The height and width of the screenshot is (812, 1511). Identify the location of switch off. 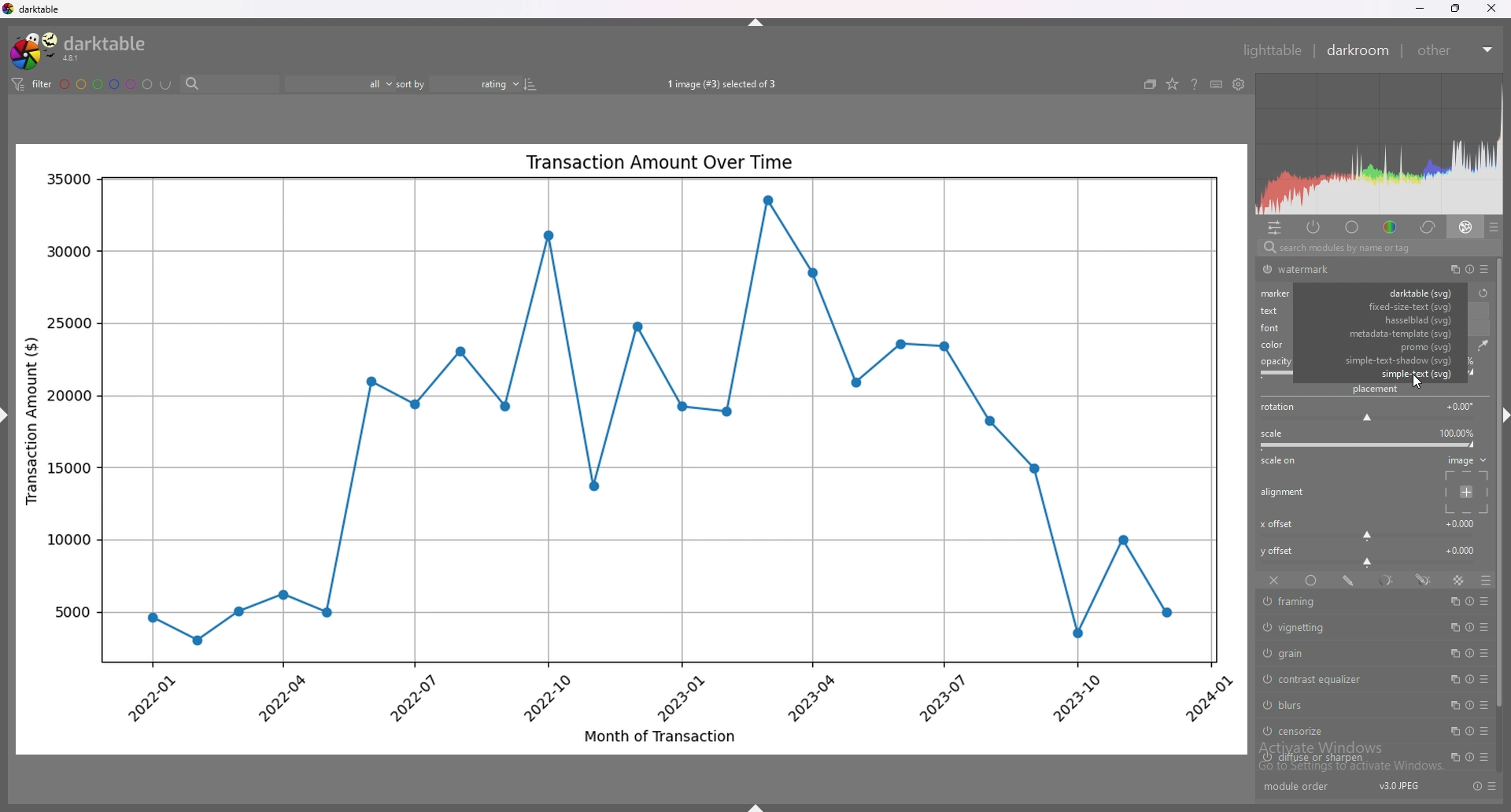
(1266, 603).